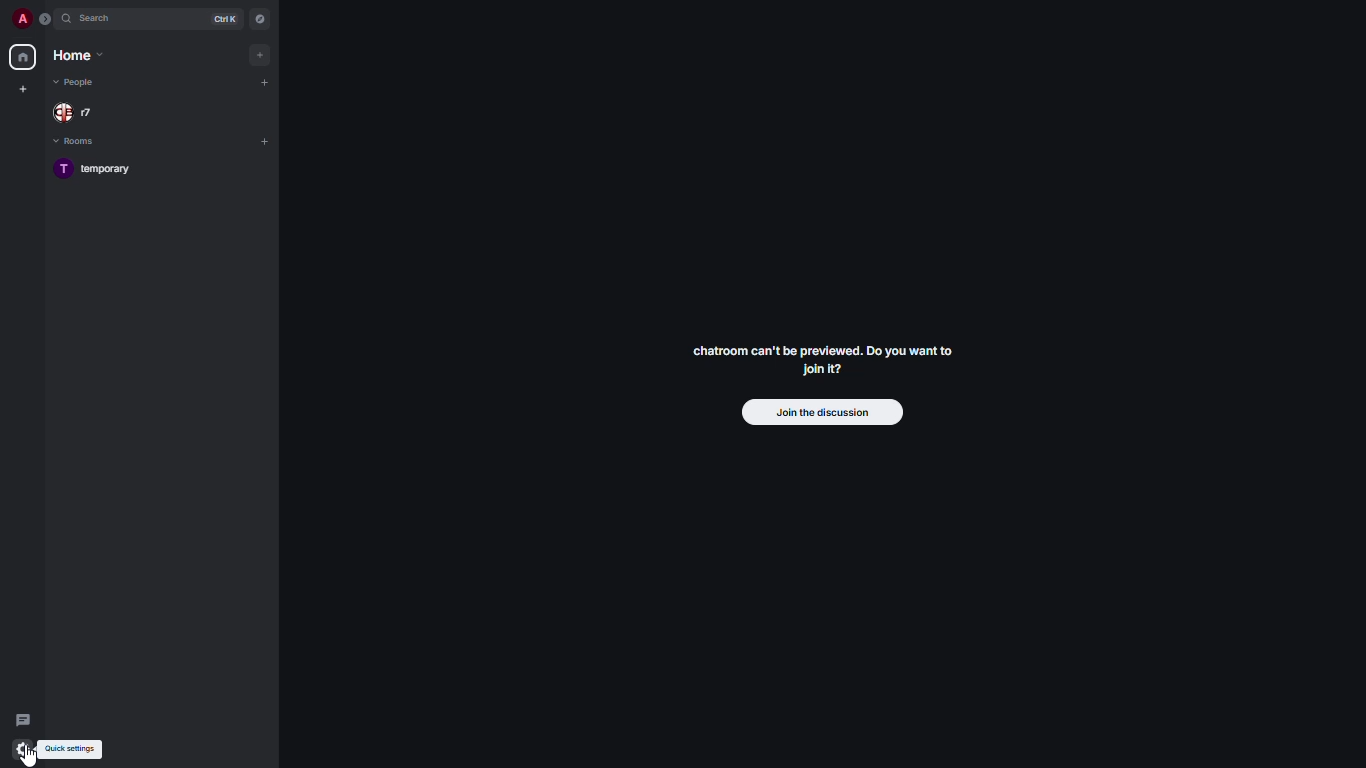 The width and height of the screenshot is (1366, 768). I want to click on quick settings, so click(20, 750).